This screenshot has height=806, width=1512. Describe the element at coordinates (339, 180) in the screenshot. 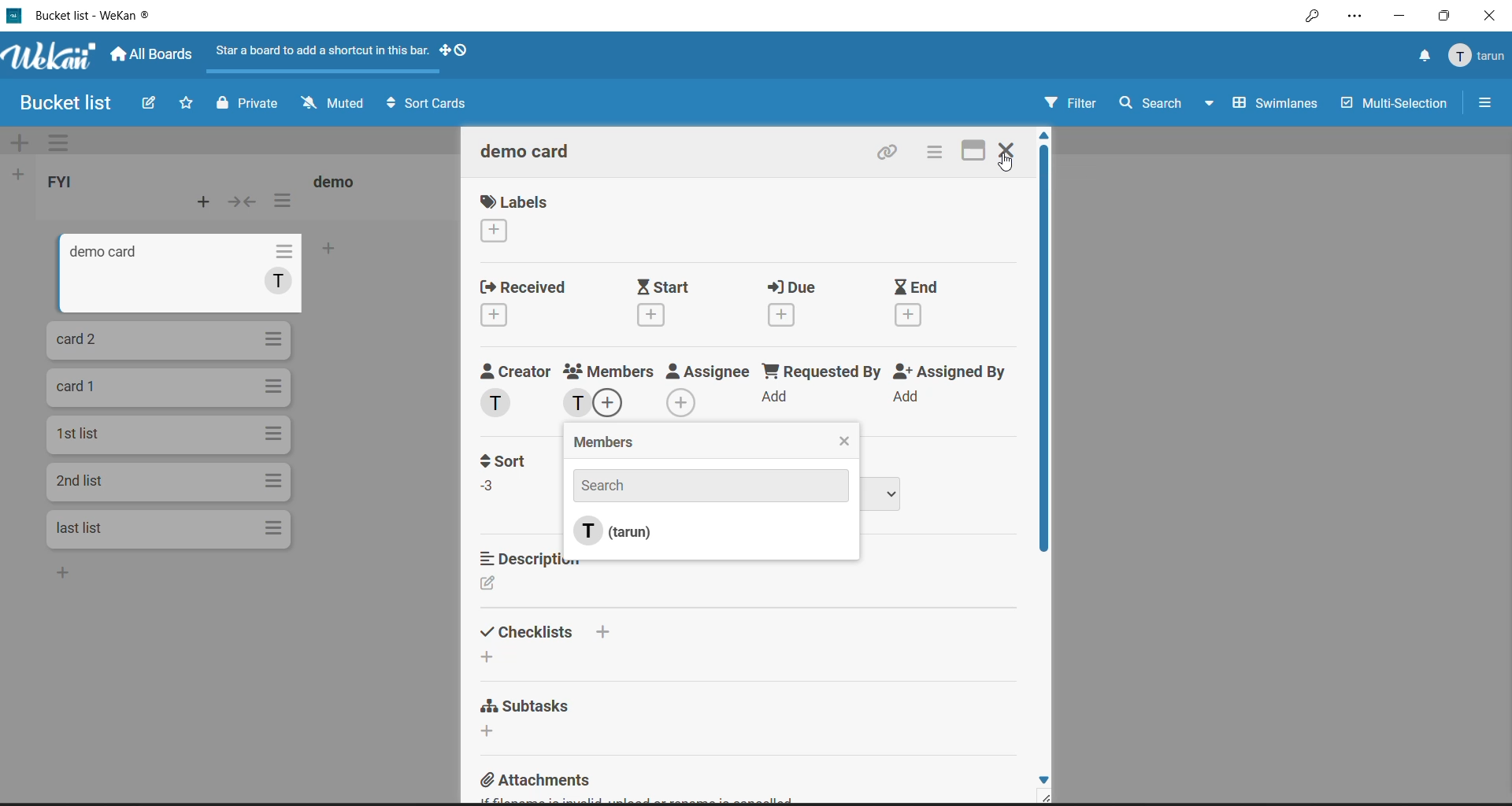

I see `list title` at that location.